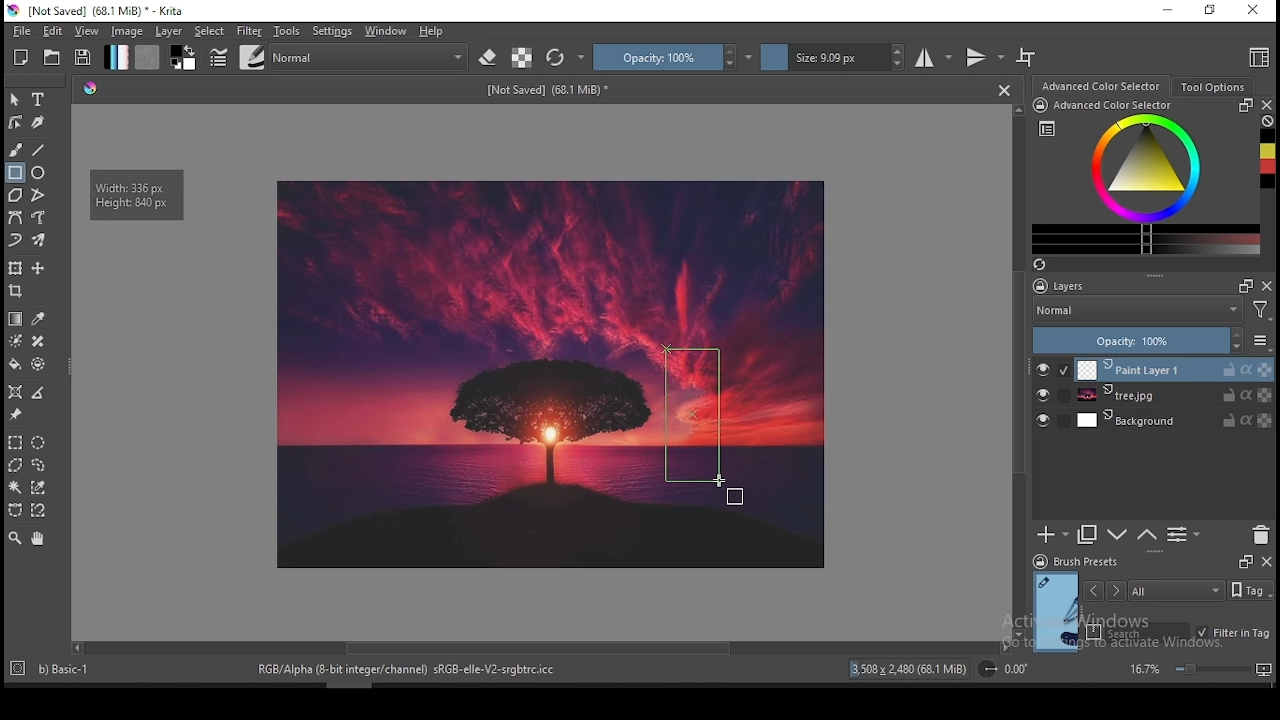 The image size is (1280, 720). Describe the element at coordinates (16, 239) in the screenshot. I see `dynamic brush tool` at that location.